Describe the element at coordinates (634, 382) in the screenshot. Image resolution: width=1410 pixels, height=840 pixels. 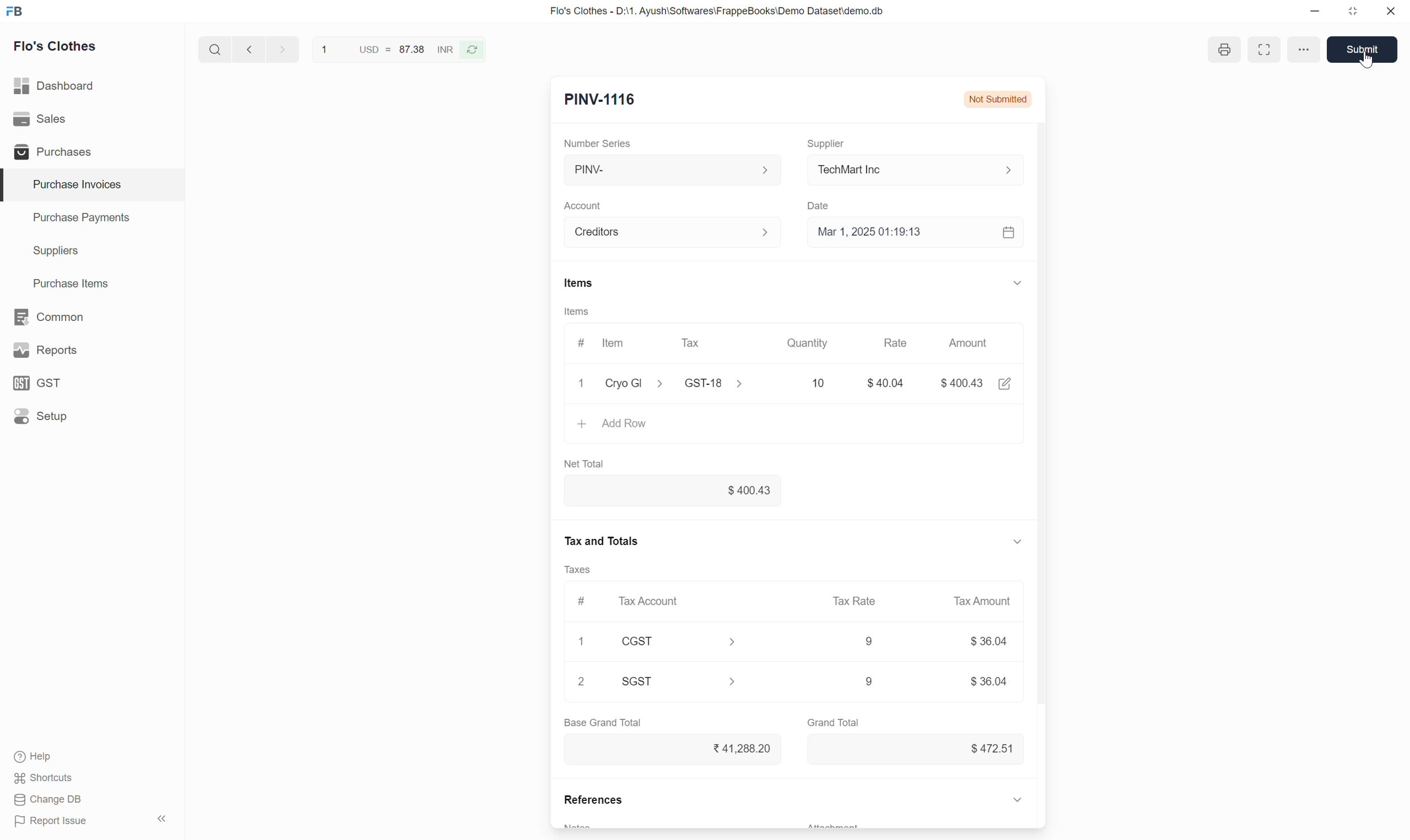
I see `Cryo GI` at that location.